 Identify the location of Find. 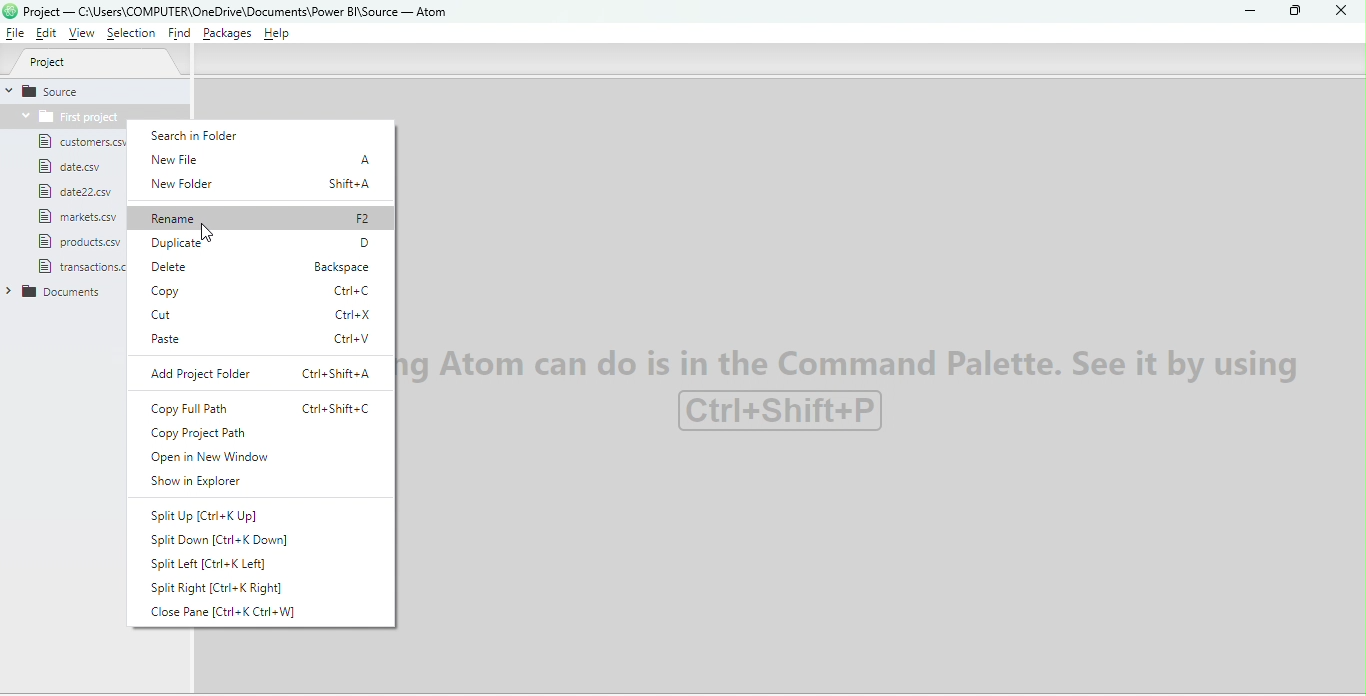
(179, 35).